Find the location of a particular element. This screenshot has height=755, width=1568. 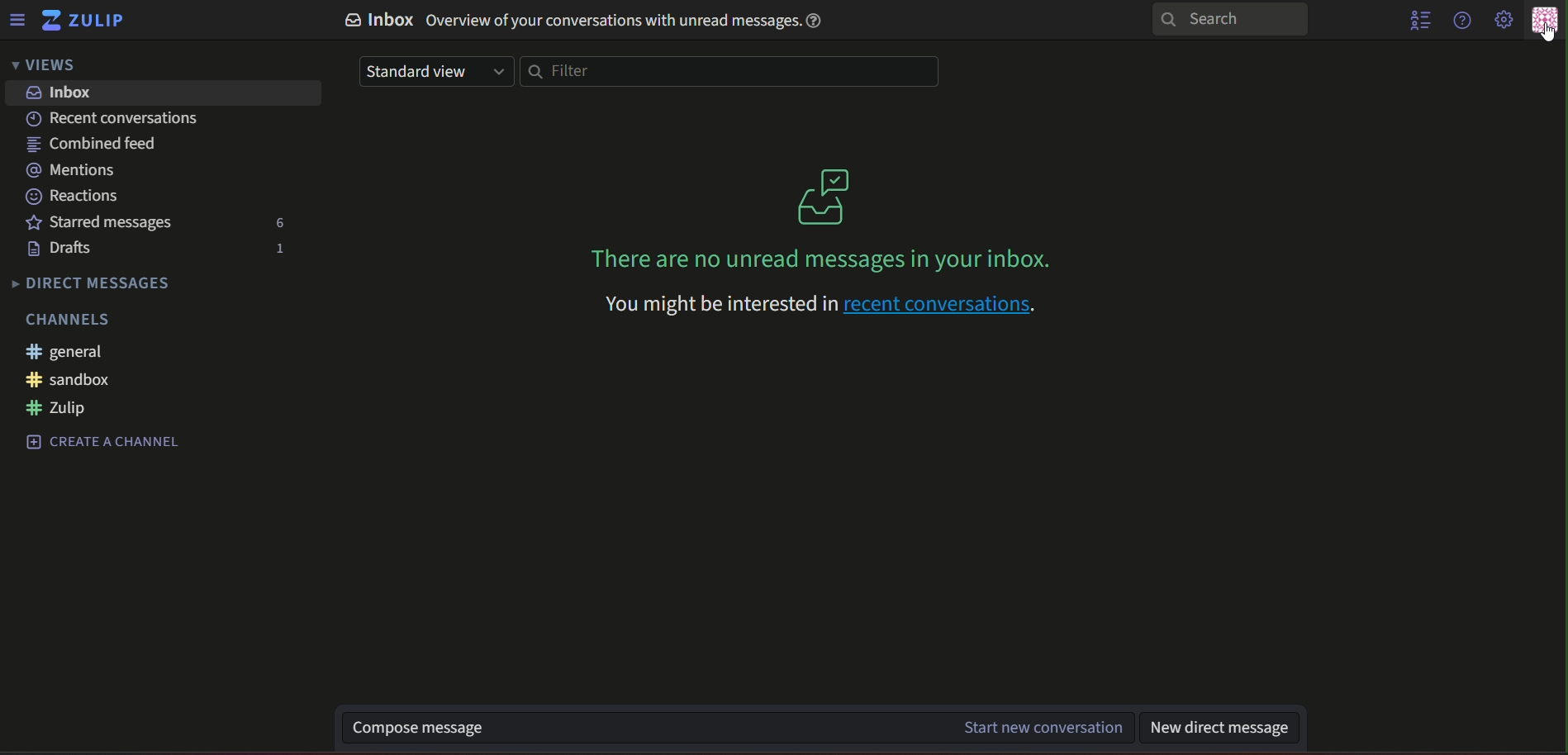

Recent conversations is located at coordinates (115, 119).